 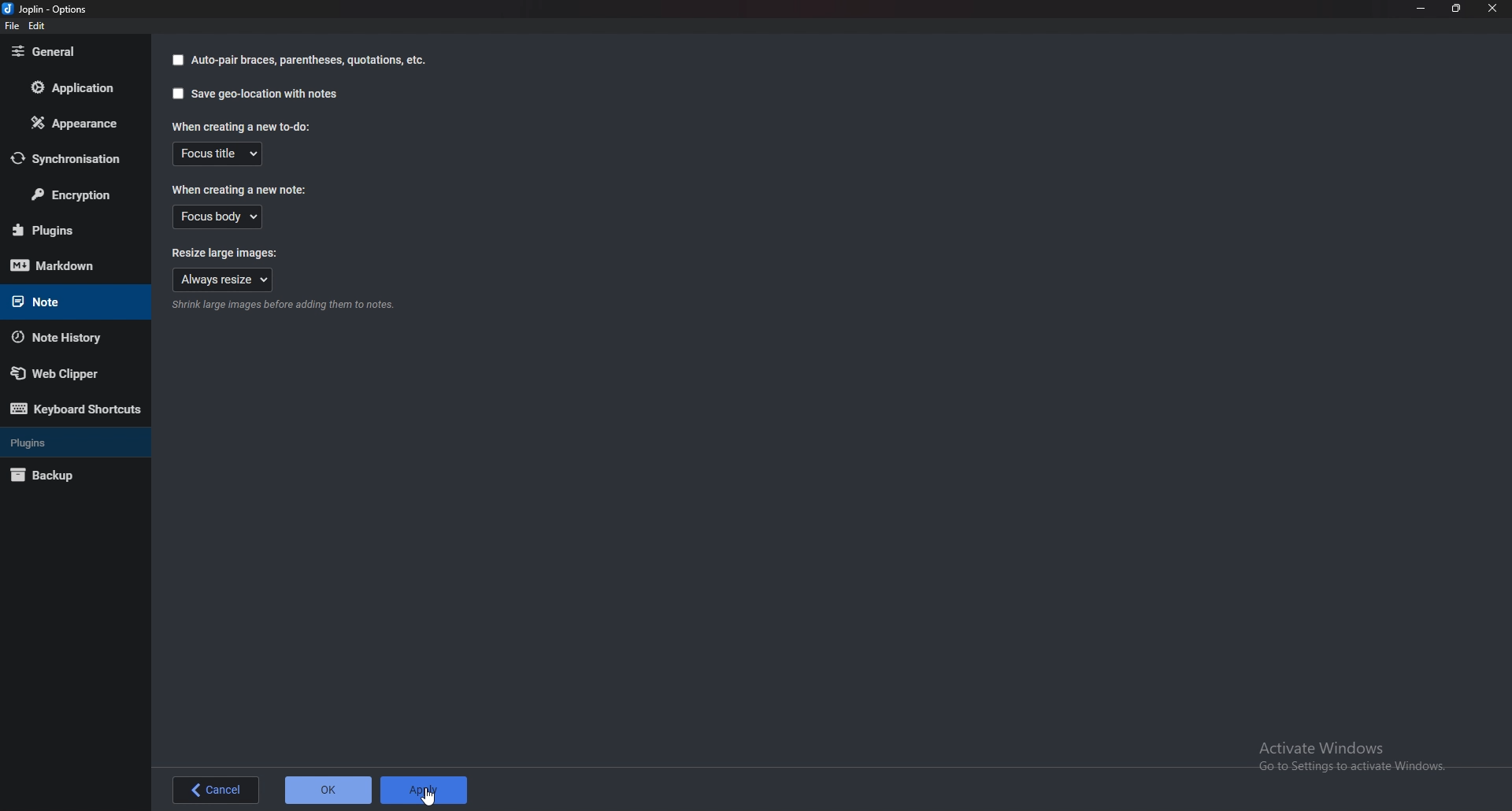 What do you see at coordinates (37, 26) in the screenshot?
I see `Edit` at bounding box center [37, 26].